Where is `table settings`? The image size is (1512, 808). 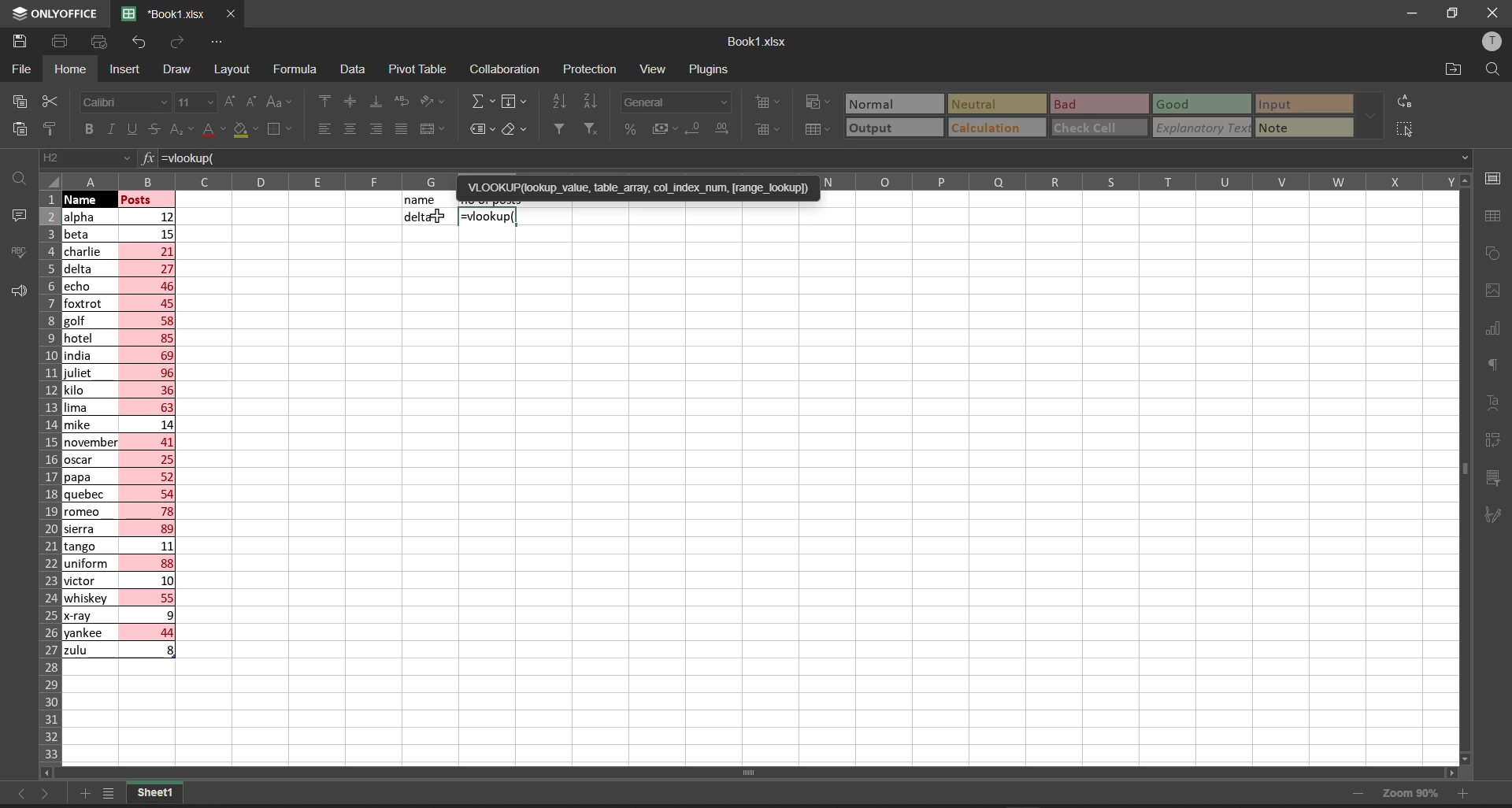 table settings is located at coordinates (1498, 217).